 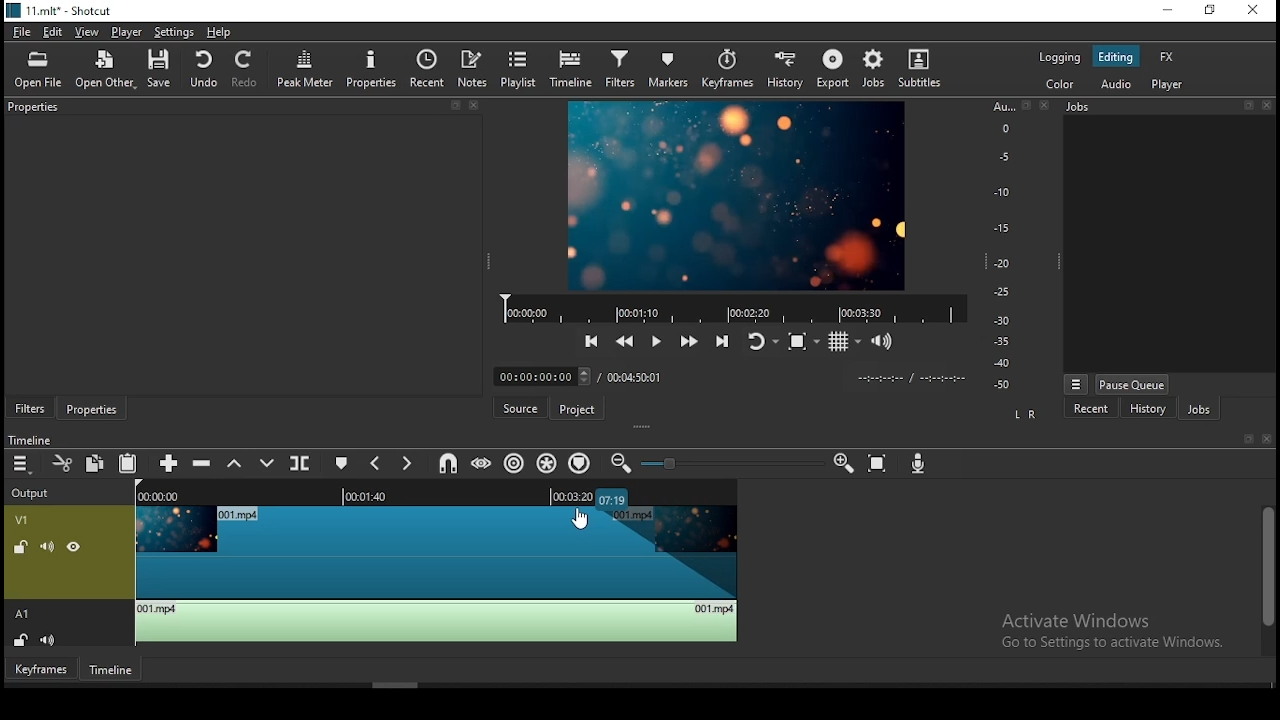 What do you see at coordinates (58, 462) in the screenshot?
I see `cut` at bounding box center [58, 462].